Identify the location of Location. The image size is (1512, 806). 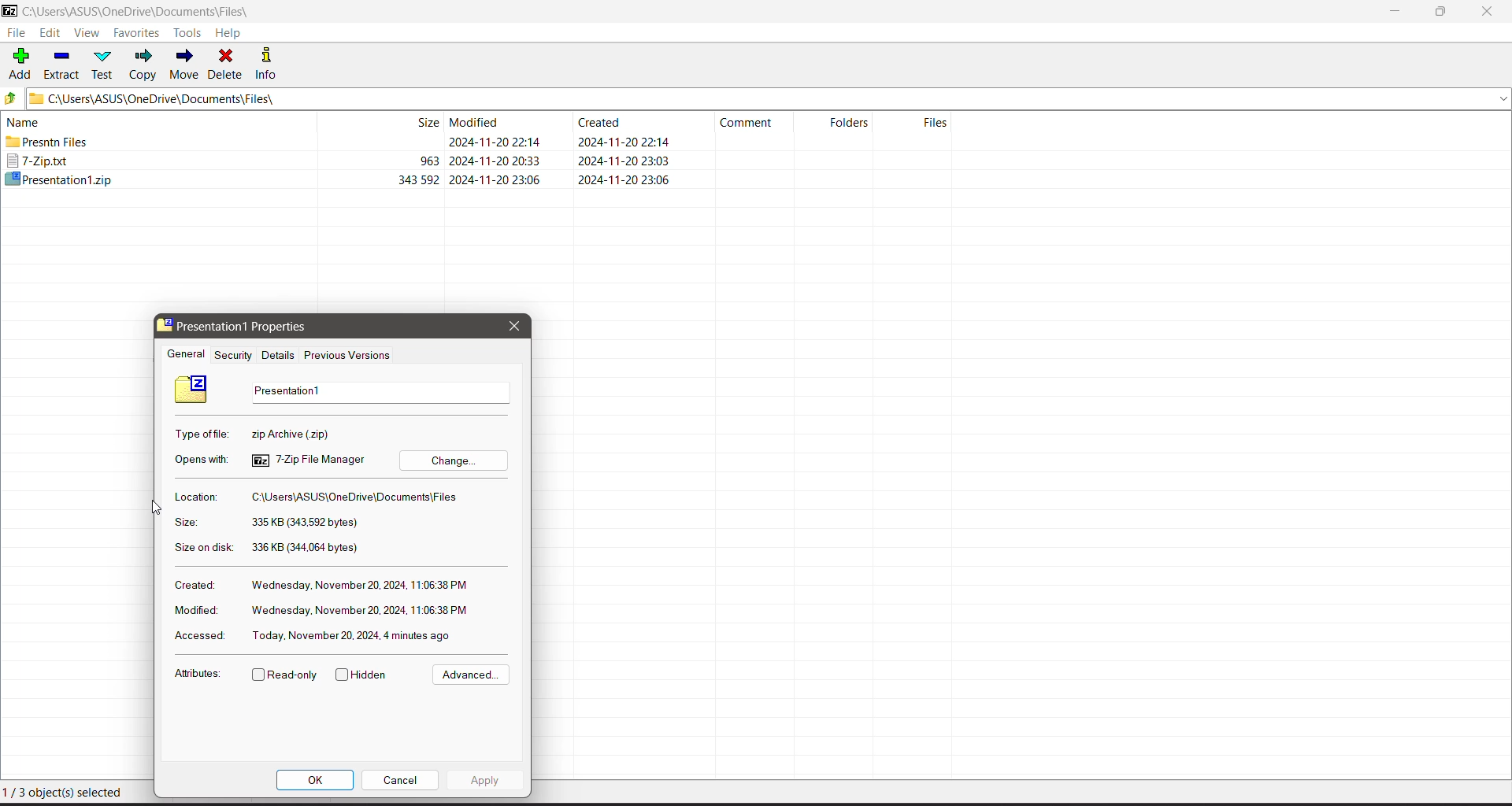
(205, 498).